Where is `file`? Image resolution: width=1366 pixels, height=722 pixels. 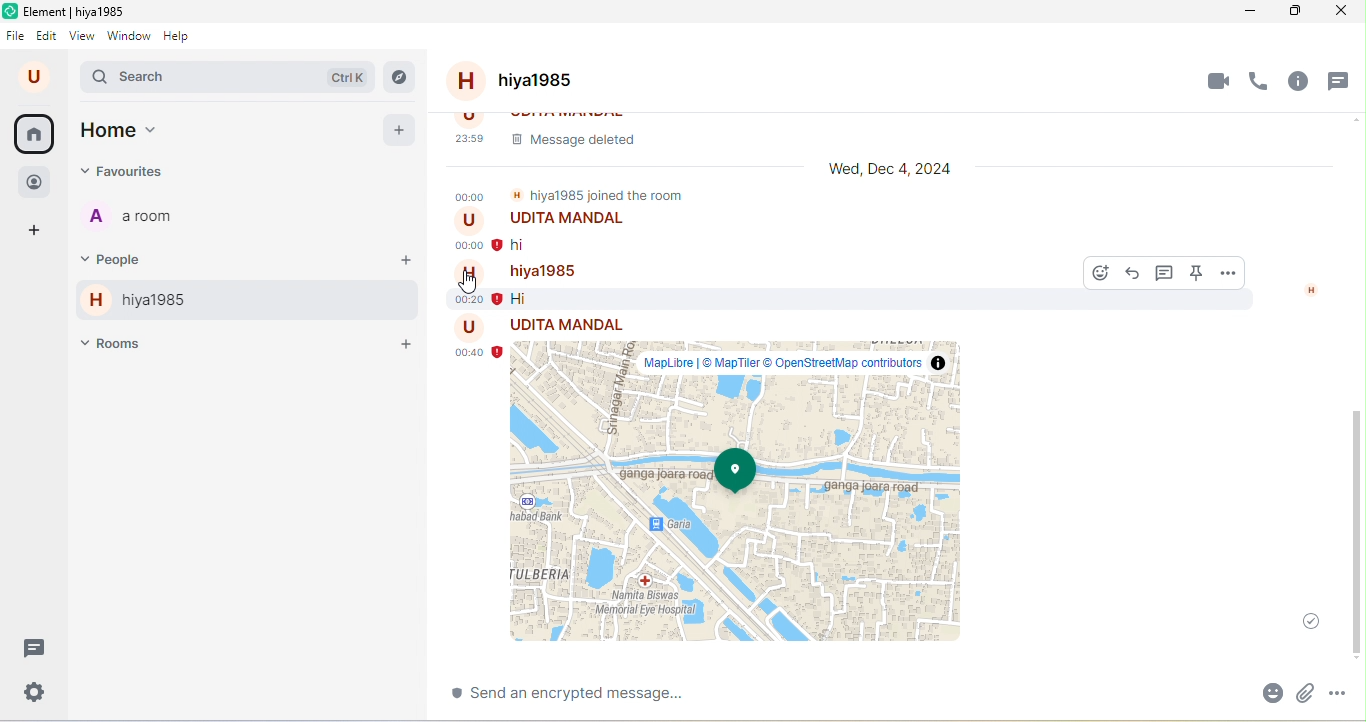 file is located at coordinates (15, 37).